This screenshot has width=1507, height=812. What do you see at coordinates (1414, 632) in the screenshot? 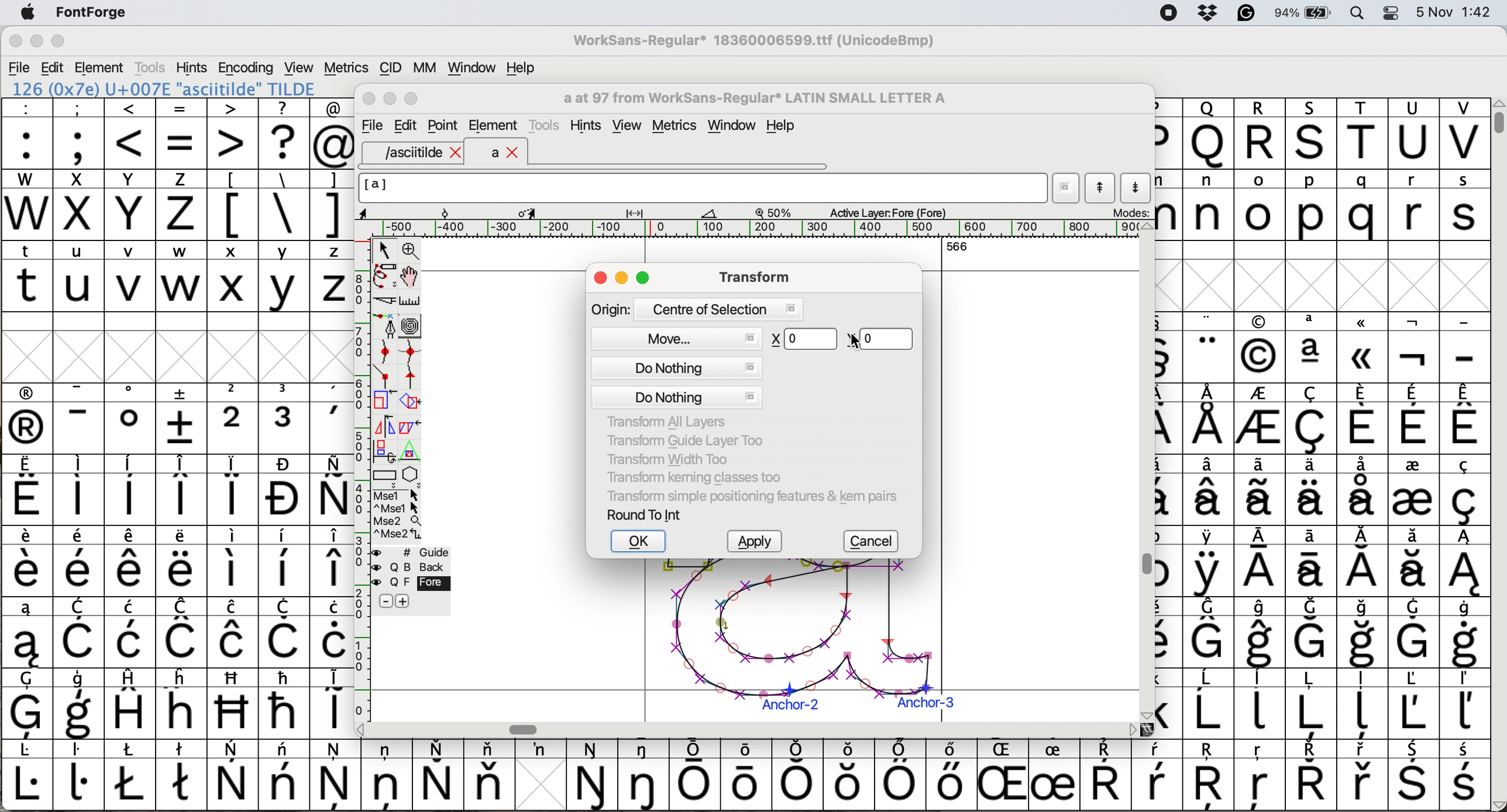
I see `symbol` at bounding box center [1414, 632].